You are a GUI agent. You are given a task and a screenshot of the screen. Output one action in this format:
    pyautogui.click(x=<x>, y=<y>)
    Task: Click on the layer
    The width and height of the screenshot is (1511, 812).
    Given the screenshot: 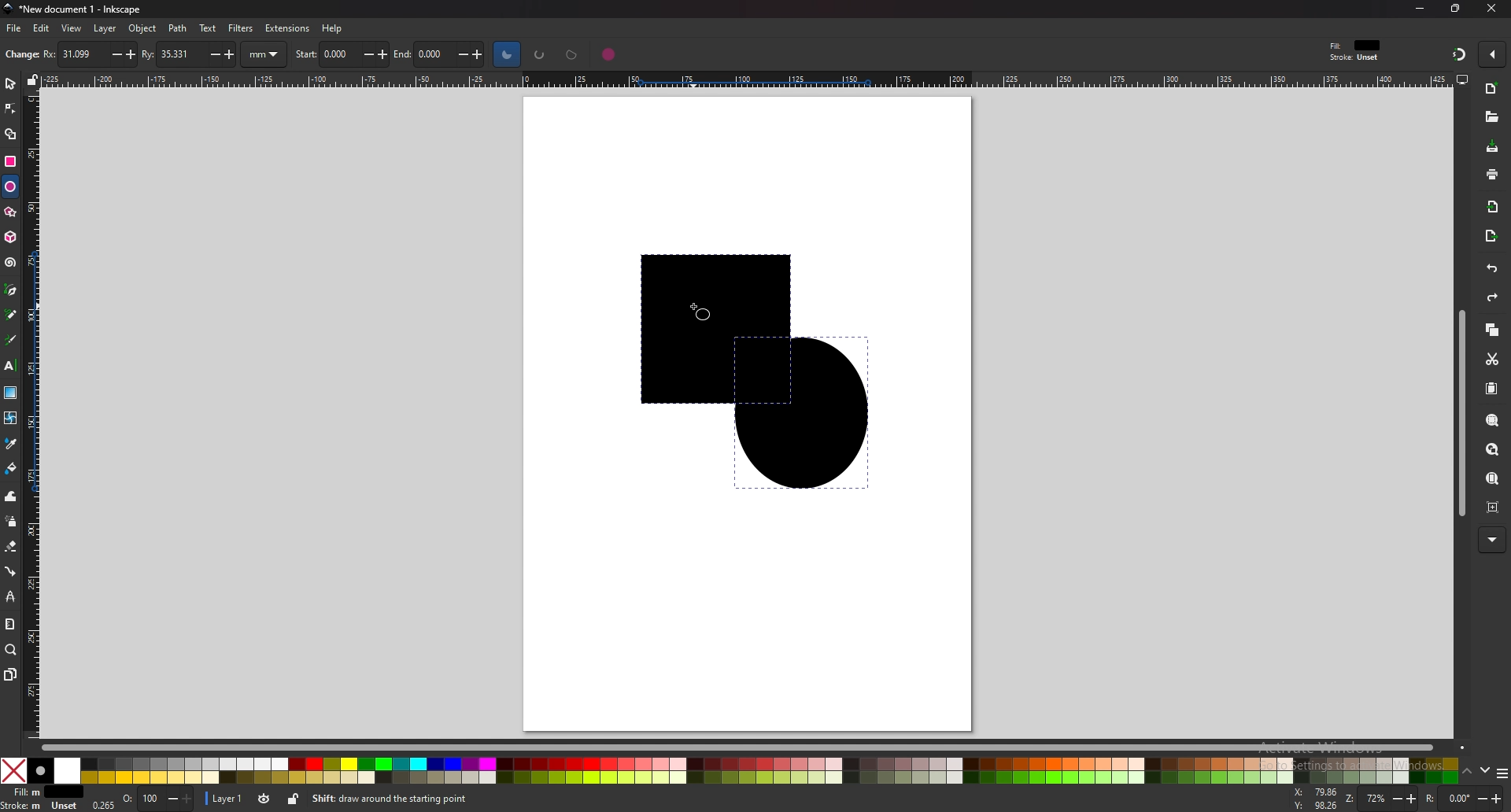 What is the action you would take?
    pyautogui.click(x=225, y=799)
    